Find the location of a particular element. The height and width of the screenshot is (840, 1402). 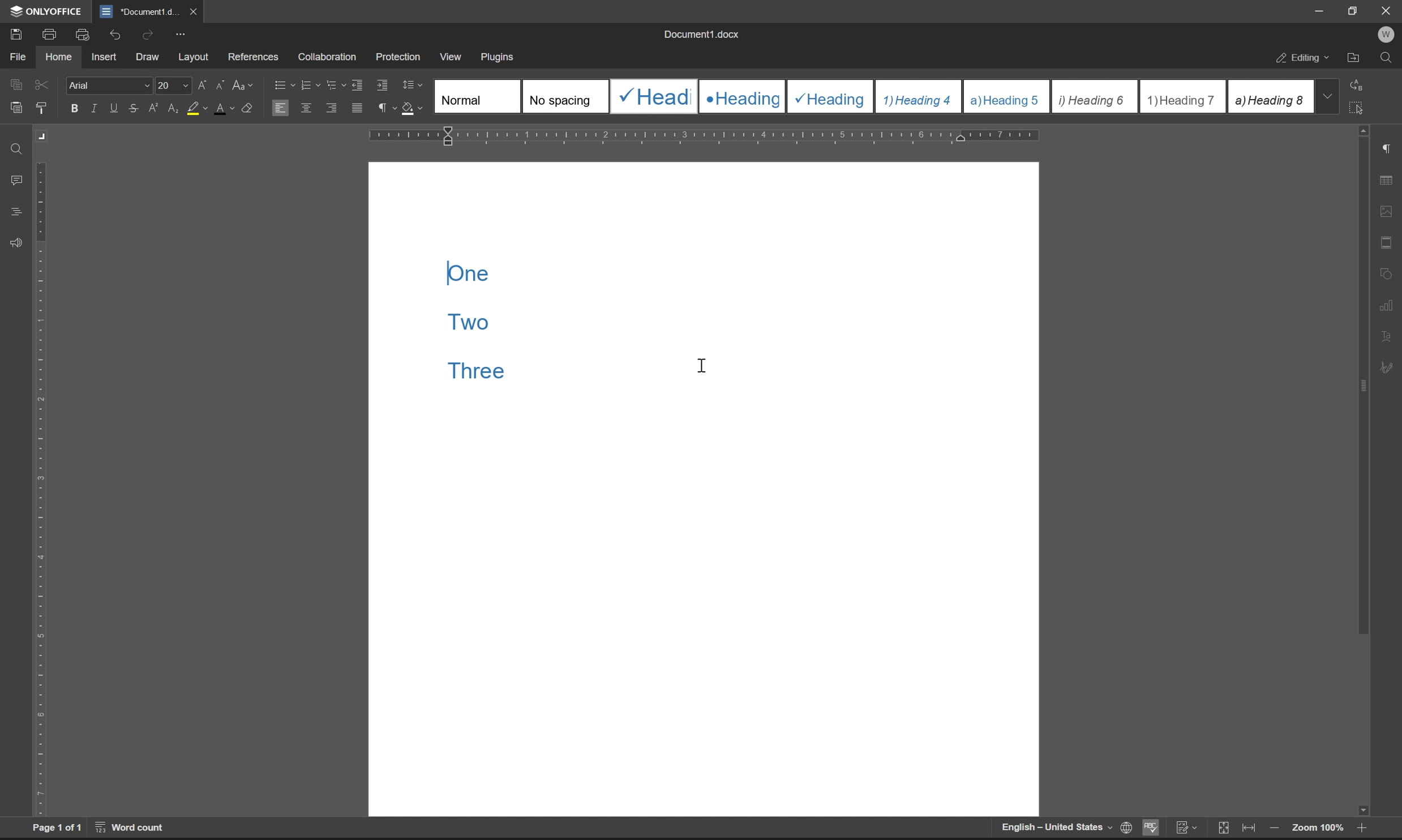

paragraph is located at coordinates (385, 108).